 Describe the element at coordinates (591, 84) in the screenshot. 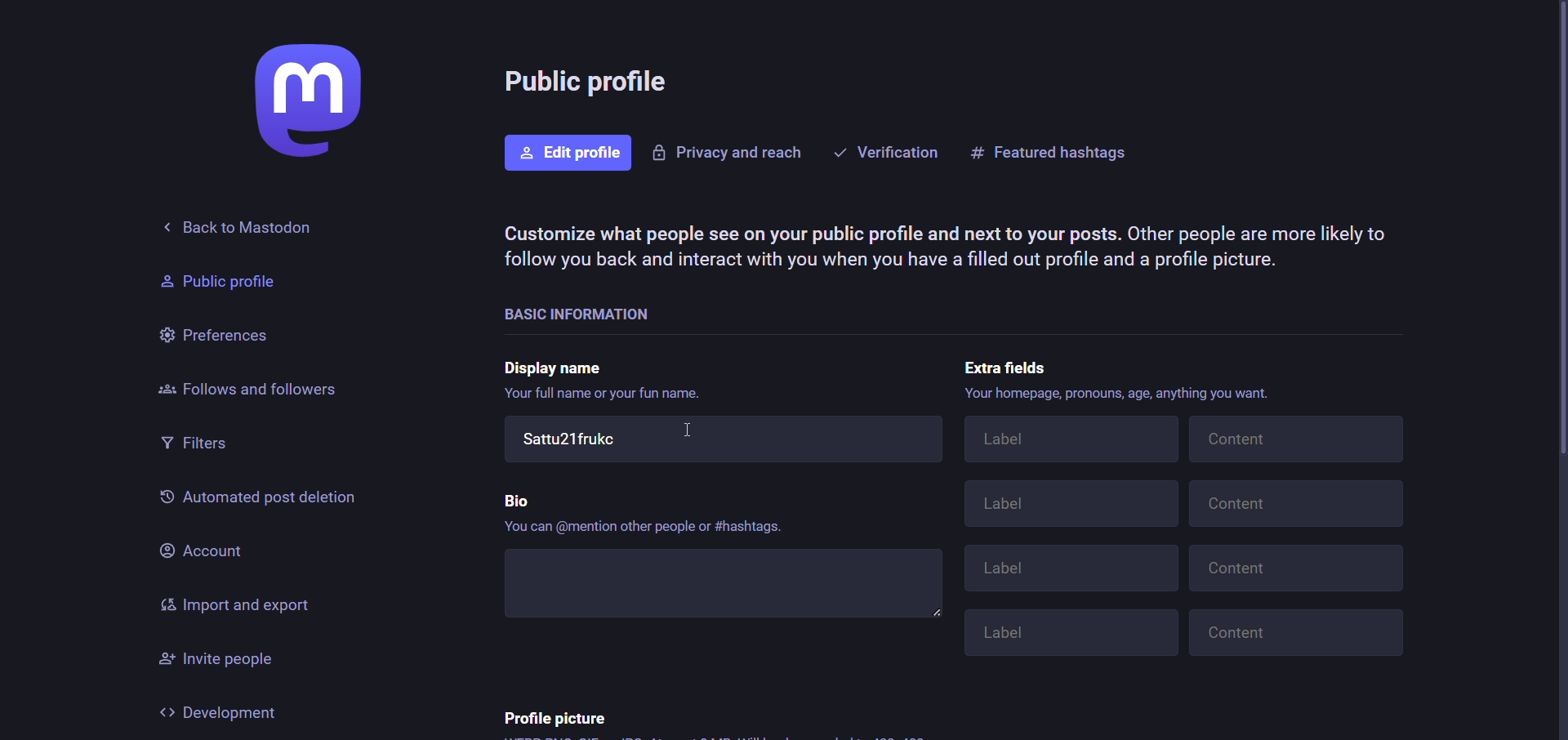

I see `public profile` at that location.